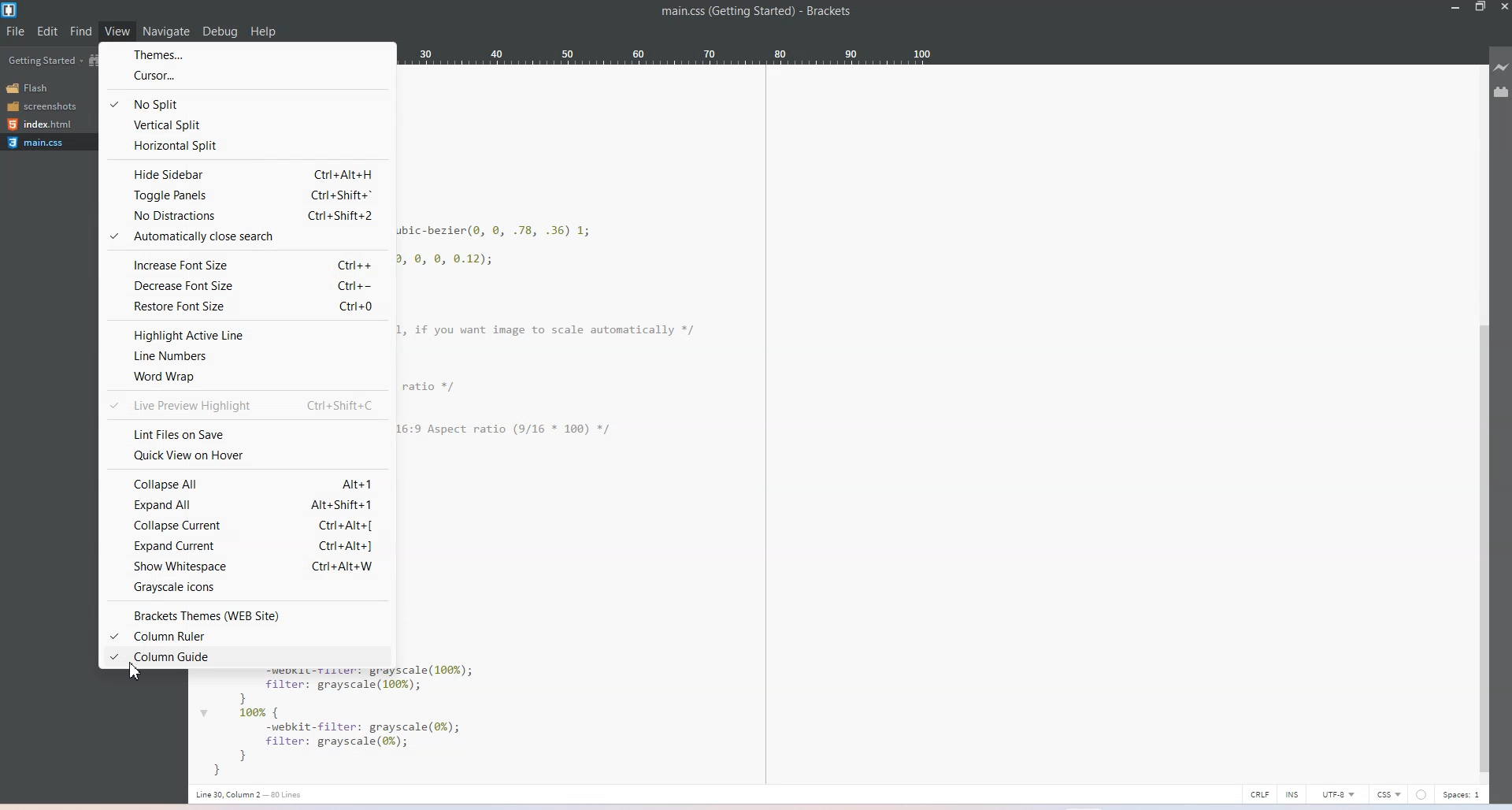 This screenshot has width=1512, height=810. Describe the element at coordinates (249, 124) in the screenshot. I see `Vertical split` at that location.